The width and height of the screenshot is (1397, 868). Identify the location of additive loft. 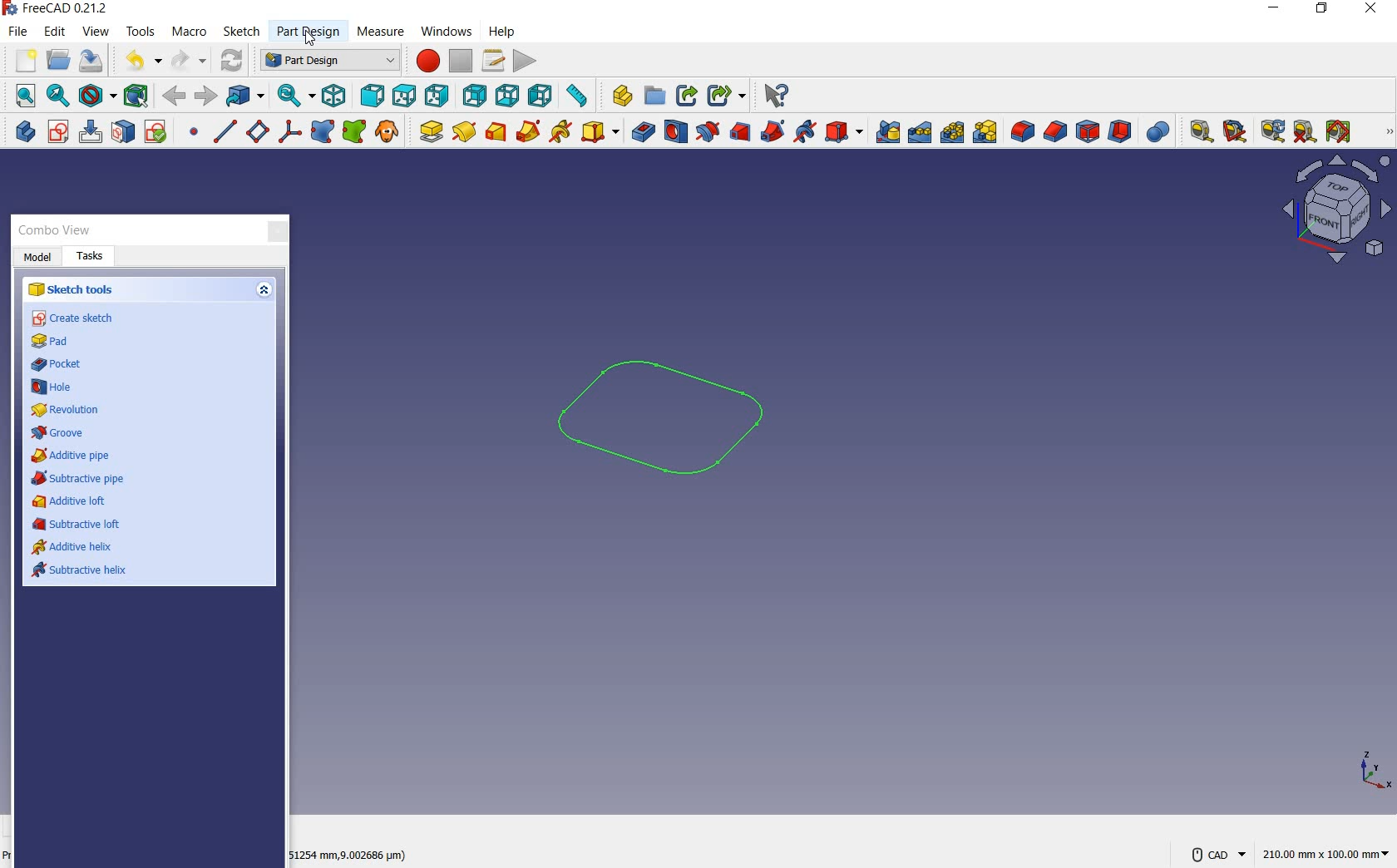
(71, 501).